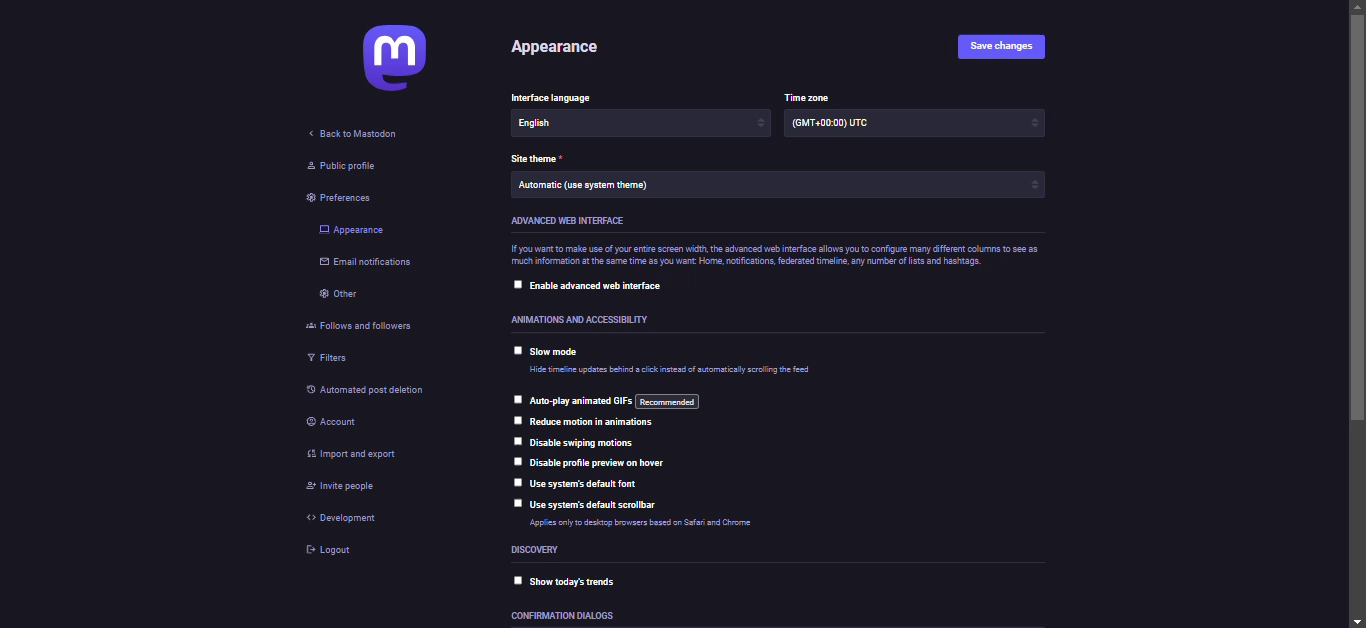 This screenshot has height=628, width=1366. I want to click on appearance, so click(563, 49).